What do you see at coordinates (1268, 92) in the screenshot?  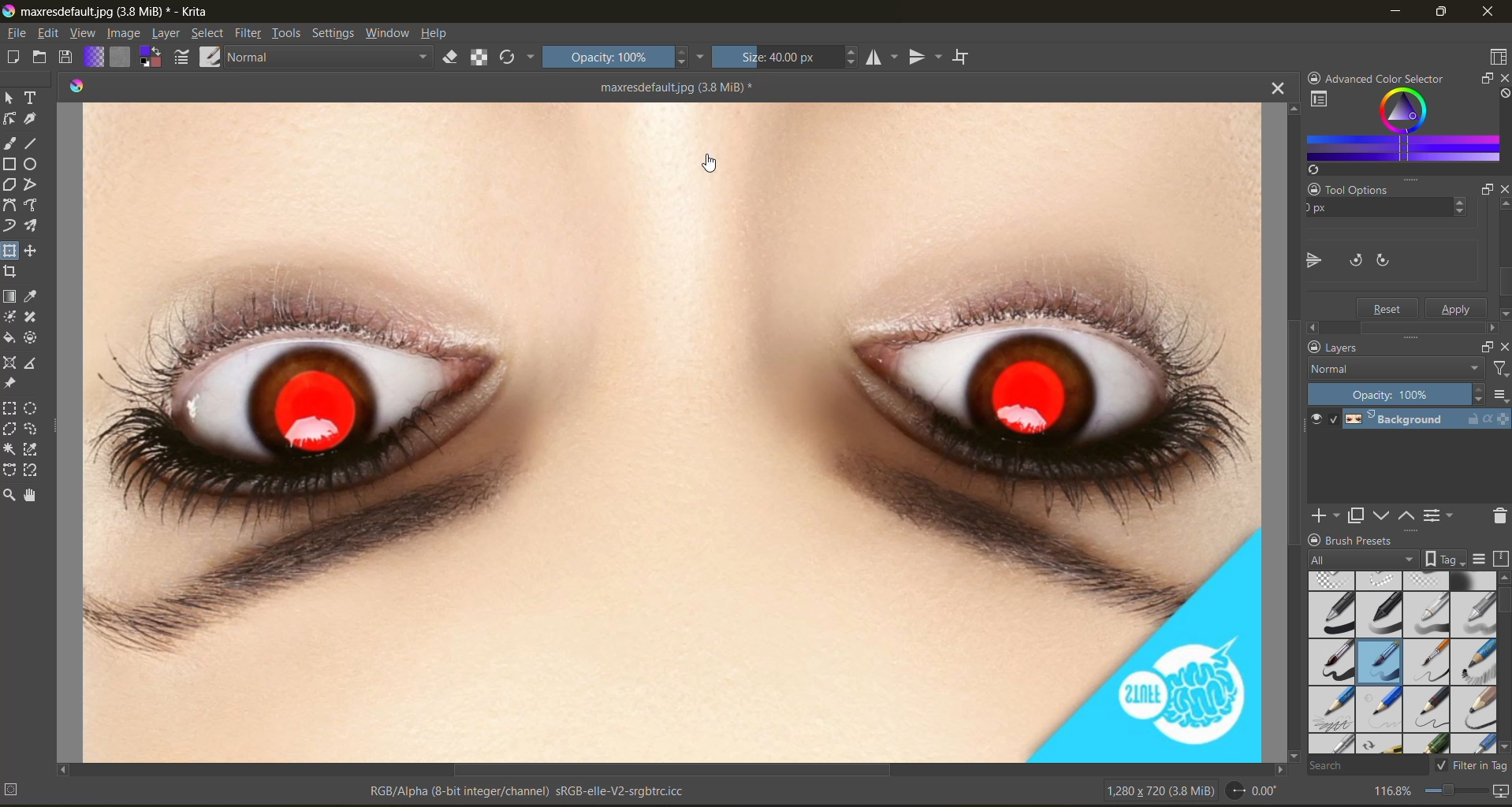 I see `close tab` at bounding box center [1268, 92].